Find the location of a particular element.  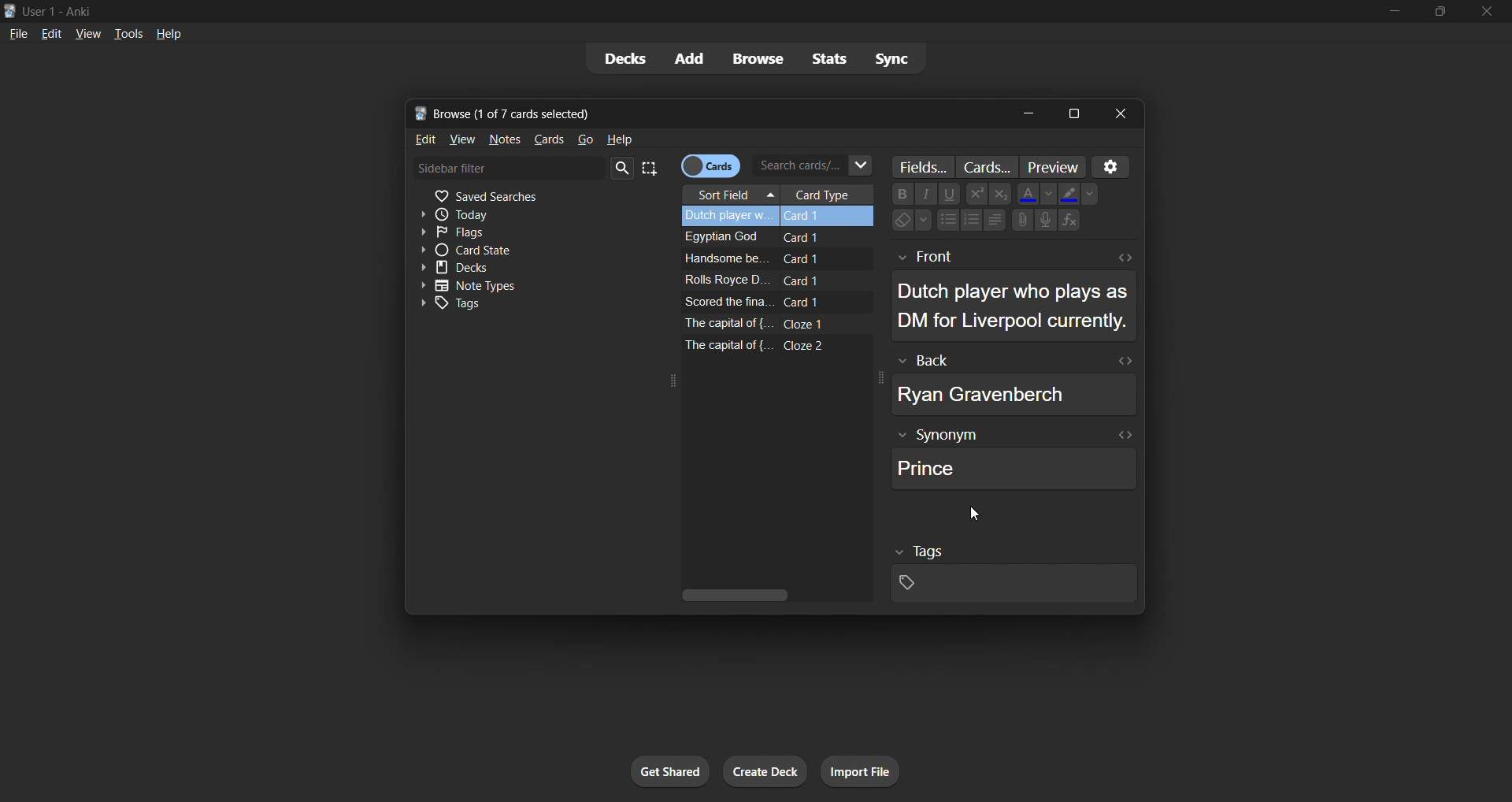

get shared is located at coordinates (666, 771).